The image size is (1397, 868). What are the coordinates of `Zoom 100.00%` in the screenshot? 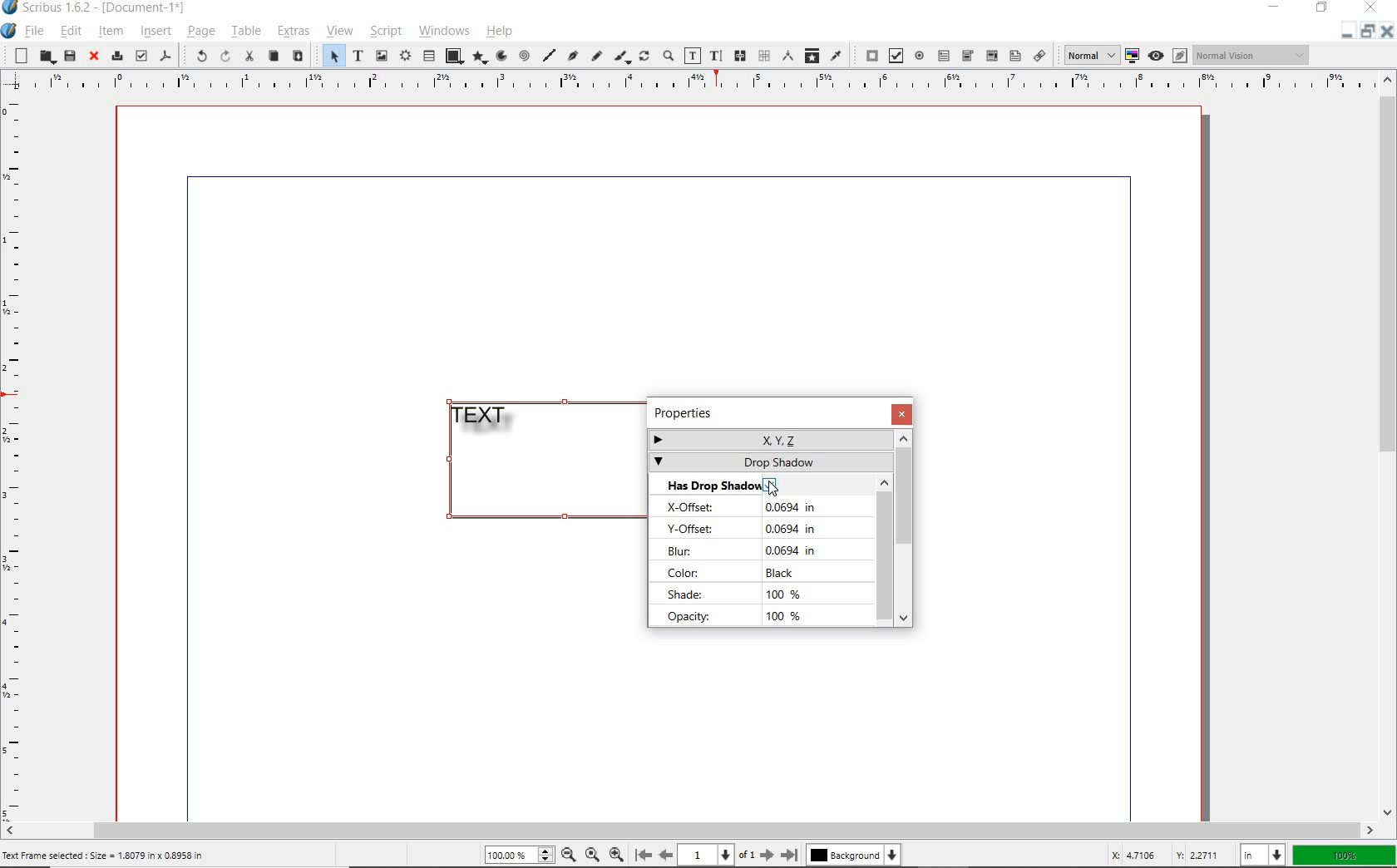 It's located at (520, 856).